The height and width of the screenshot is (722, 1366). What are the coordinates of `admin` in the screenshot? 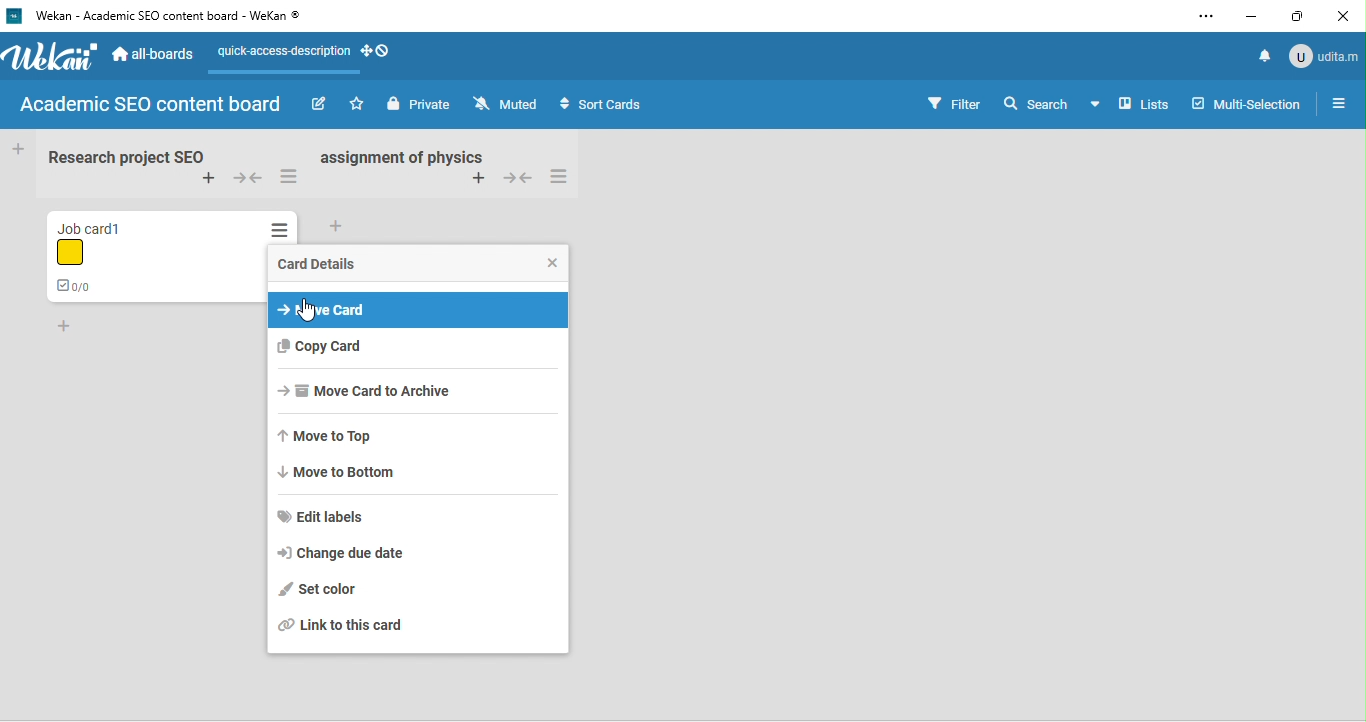 It's located at (1325, 55).